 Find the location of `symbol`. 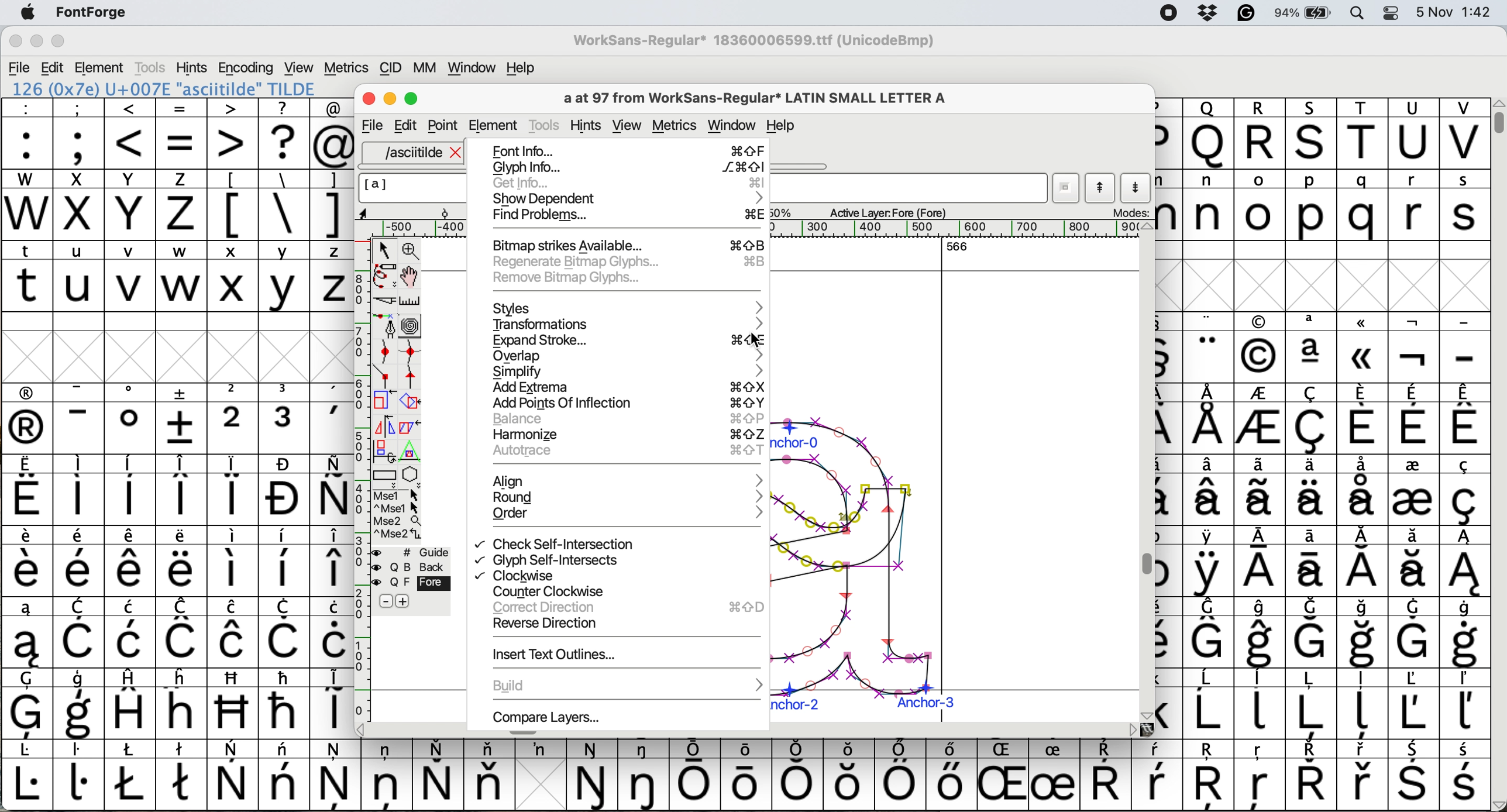

symbol is located at coordinates (181, 562).